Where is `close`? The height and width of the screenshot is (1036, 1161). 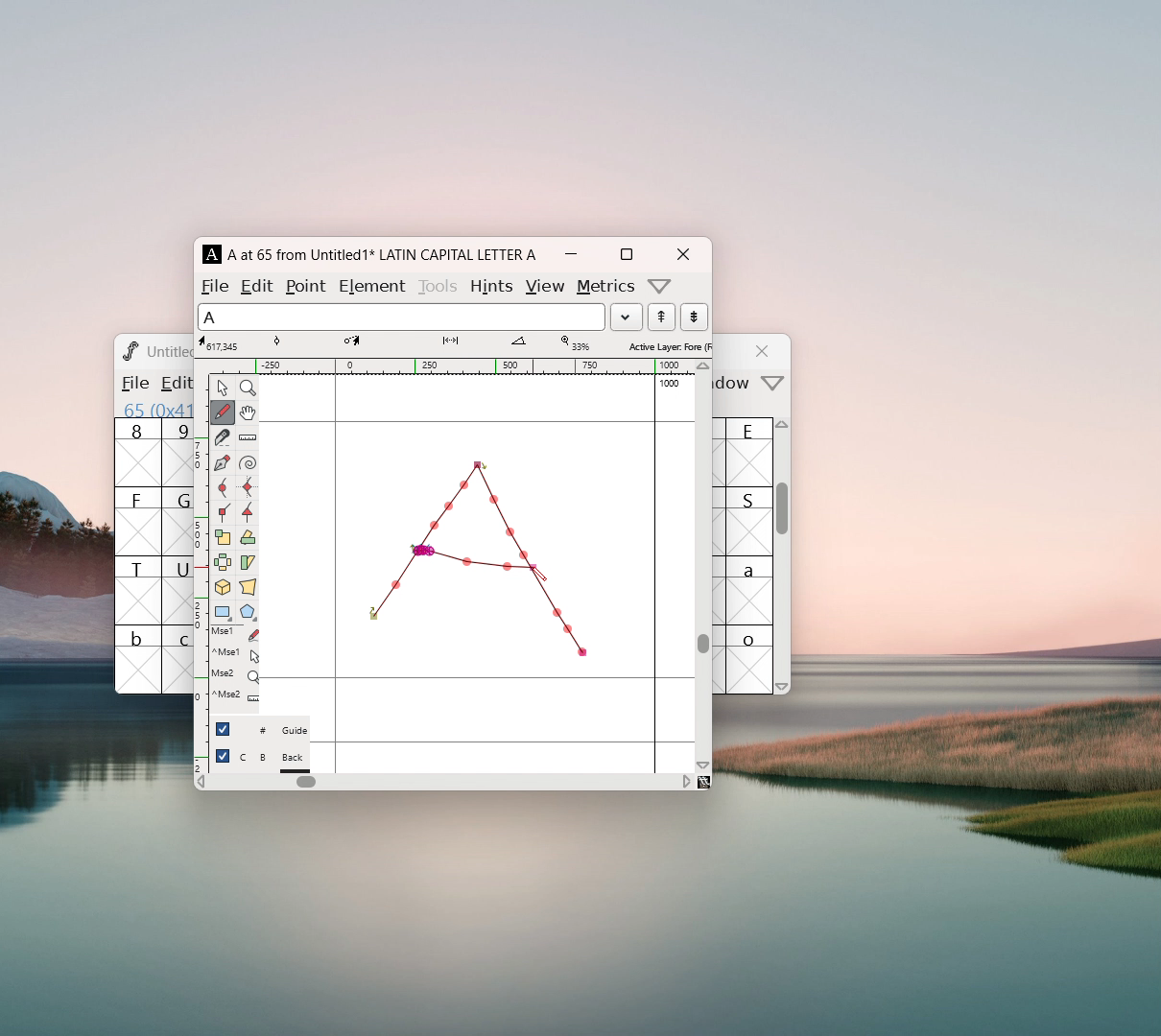
close is located at coordinates (682, 254).